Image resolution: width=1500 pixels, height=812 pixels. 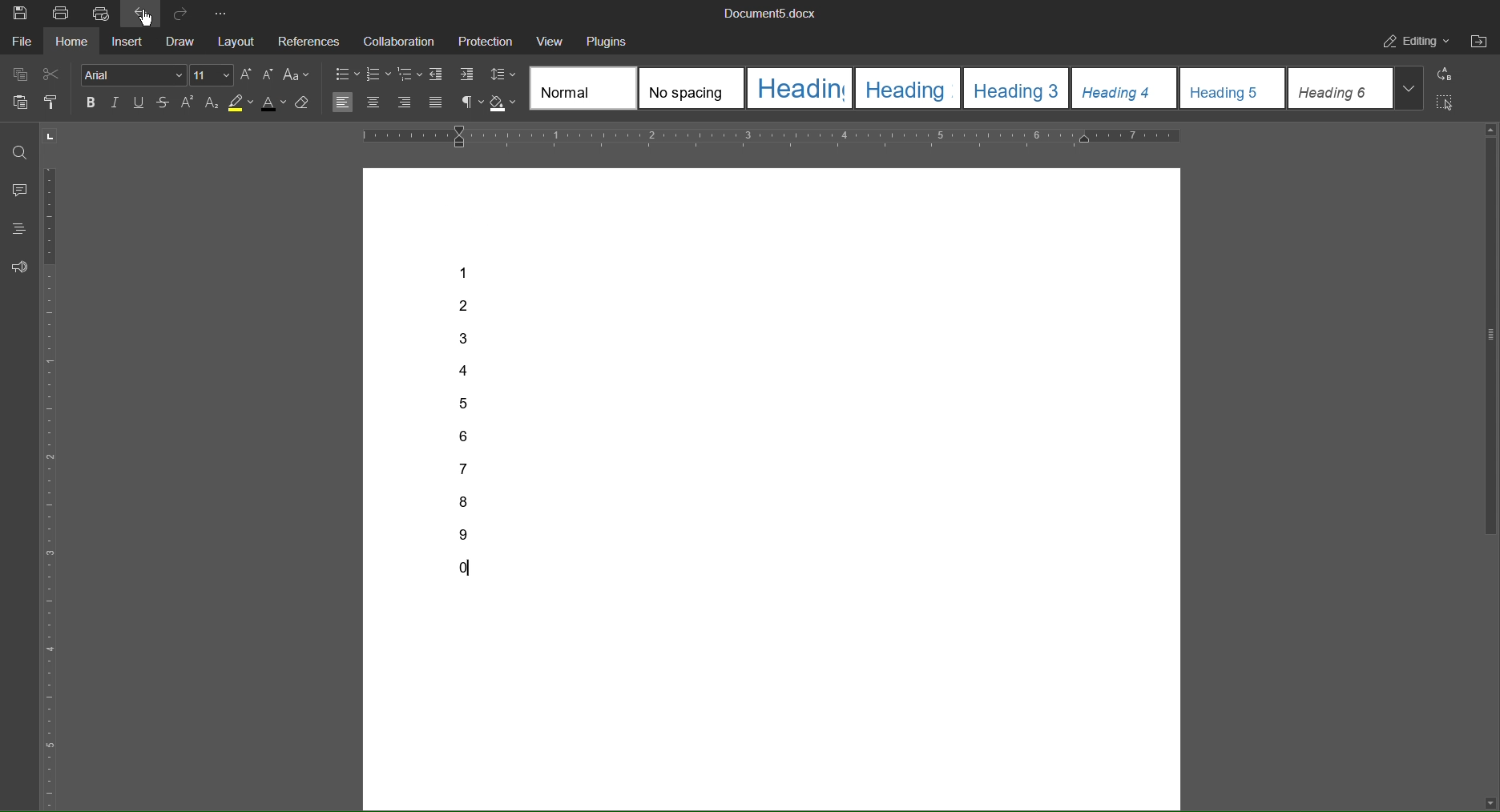 What do you see at coordinates (63, 13) in the screenshot?
I see `Print` at bounding box center [63, 13].